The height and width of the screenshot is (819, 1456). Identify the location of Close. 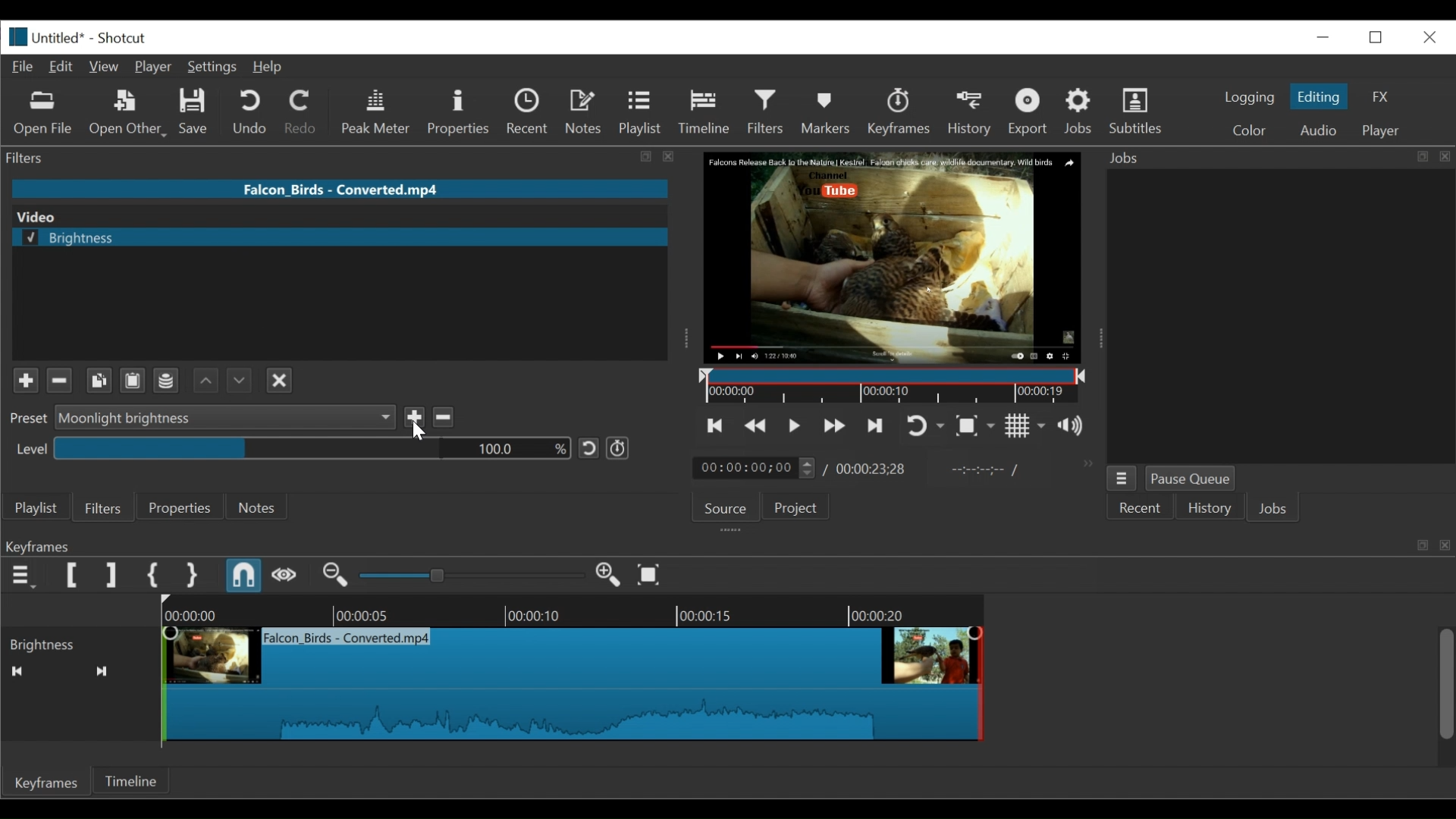
(1429, 38).